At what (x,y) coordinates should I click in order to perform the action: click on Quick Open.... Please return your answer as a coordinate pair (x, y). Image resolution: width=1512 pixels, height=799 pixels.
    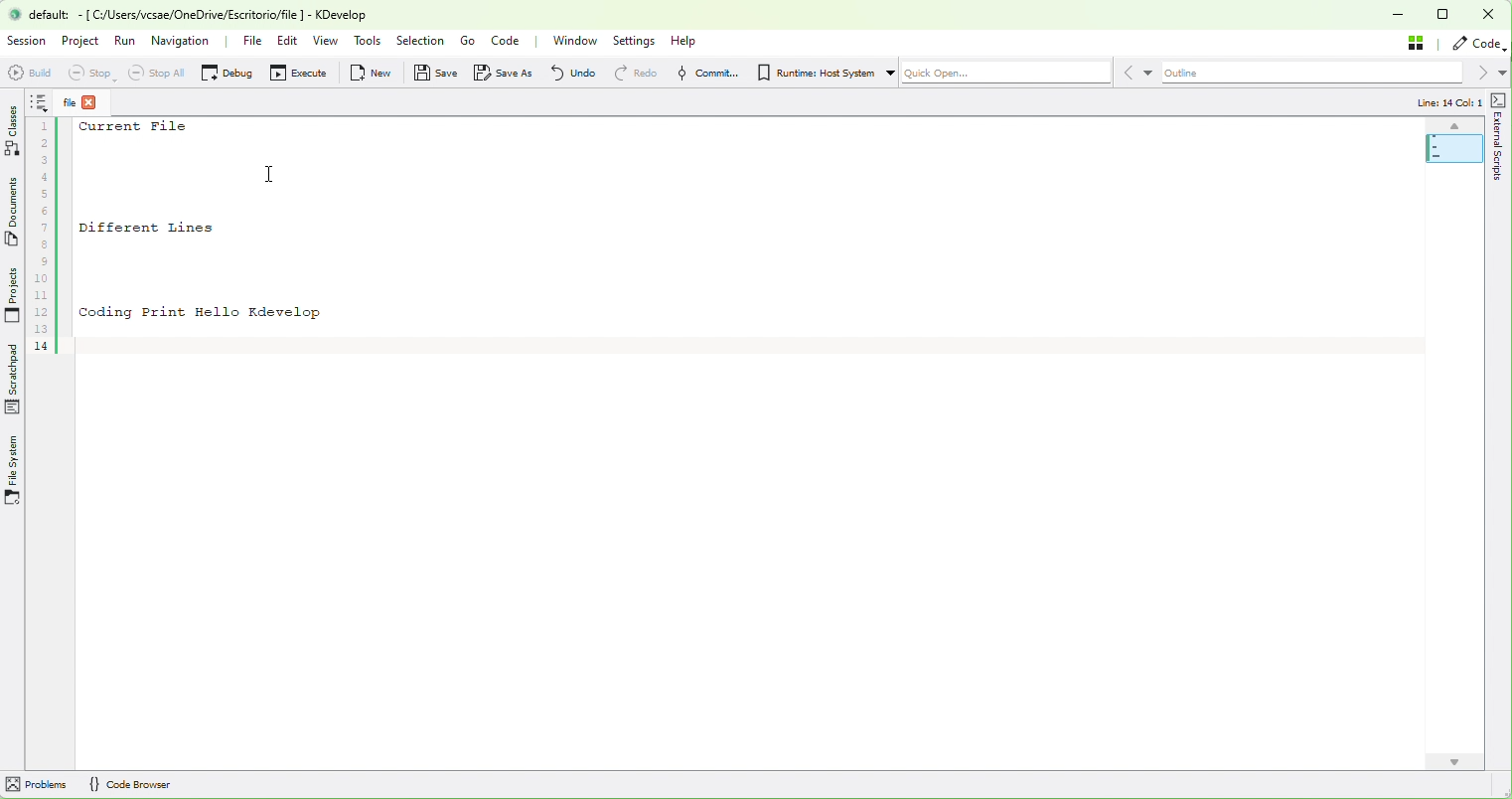
    Looking at the image, I should click on (1030, 72).